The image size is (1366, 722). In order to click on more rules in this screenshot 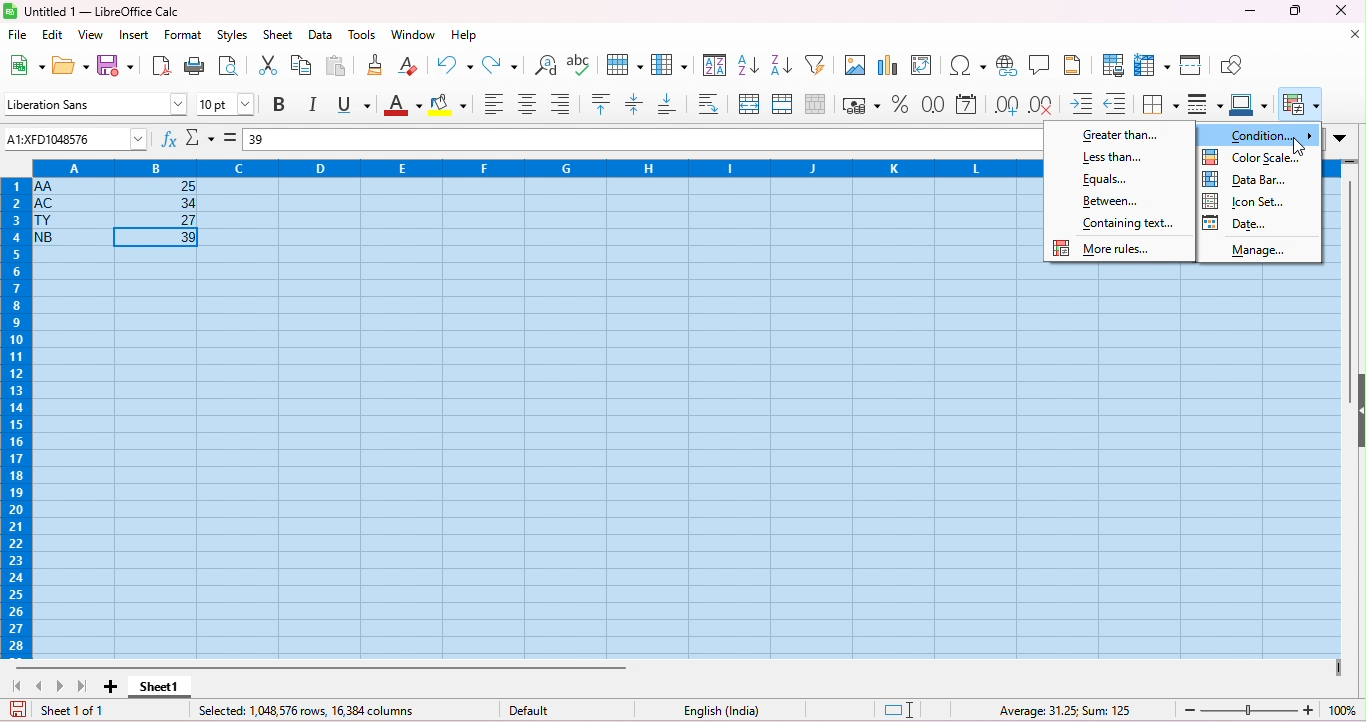, I will do `click(1123, 251)`.